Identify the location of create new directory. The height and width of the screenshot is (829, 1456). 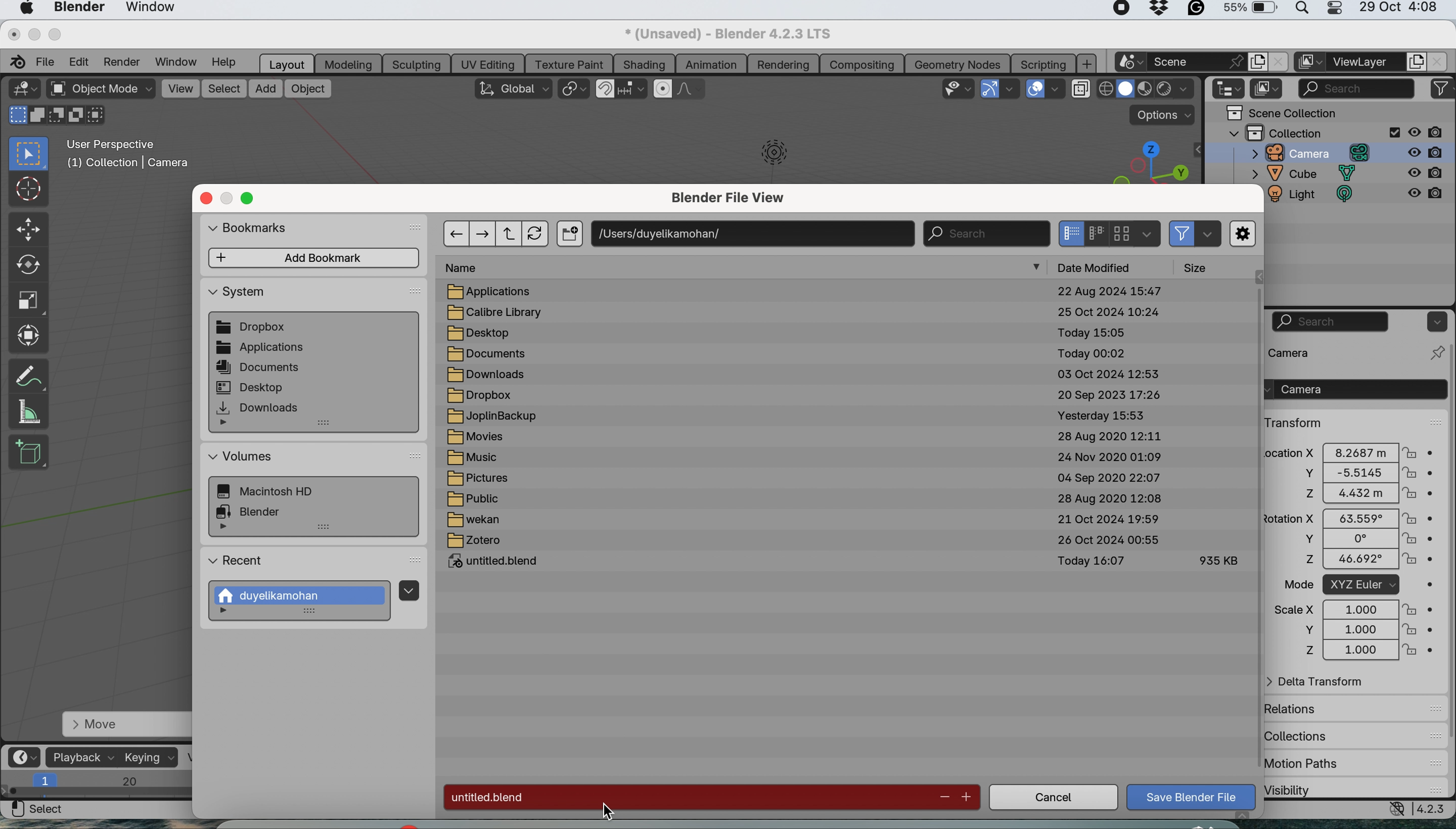
(569, 235).